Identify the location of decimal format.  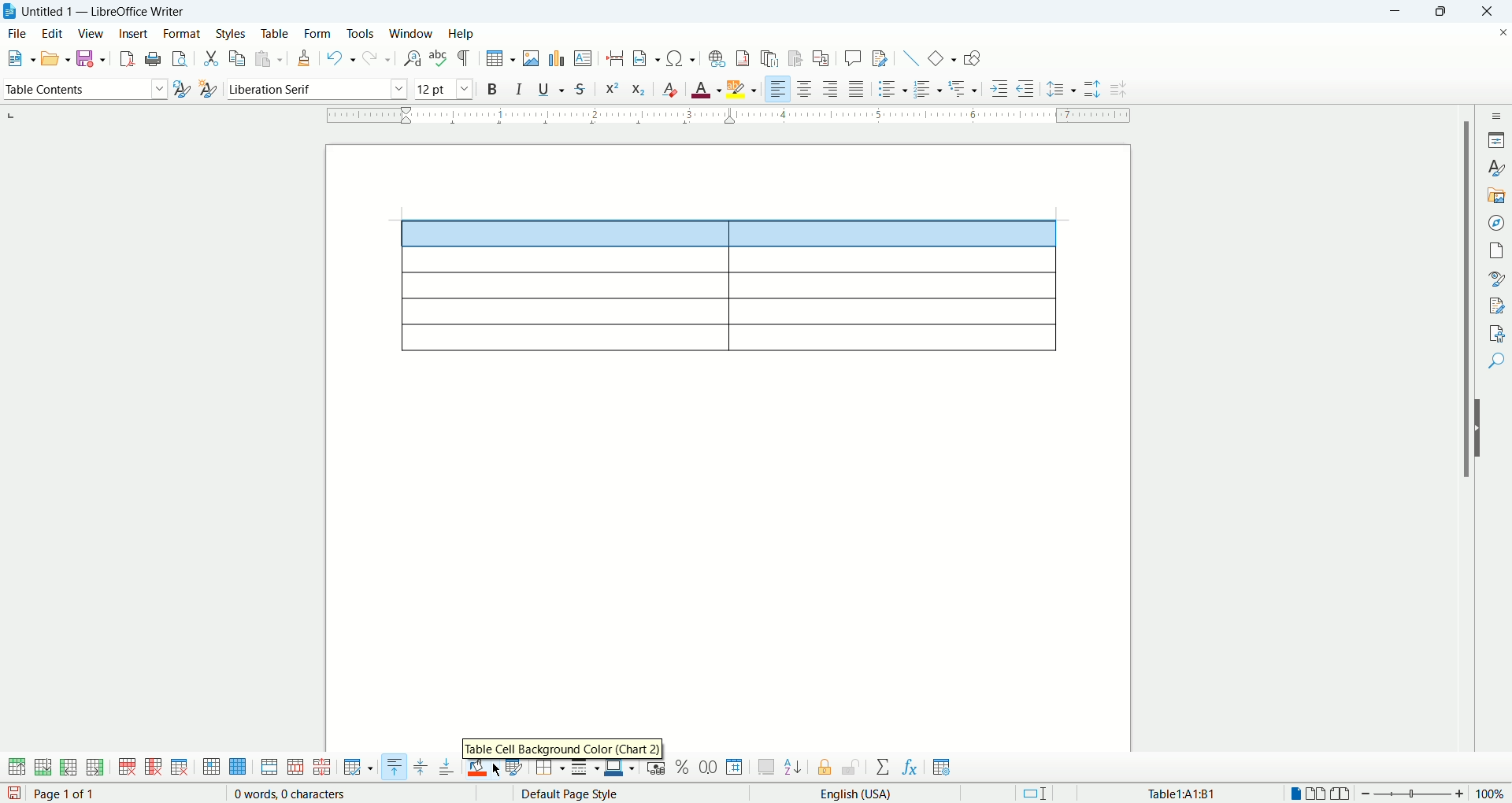
(709, 768).